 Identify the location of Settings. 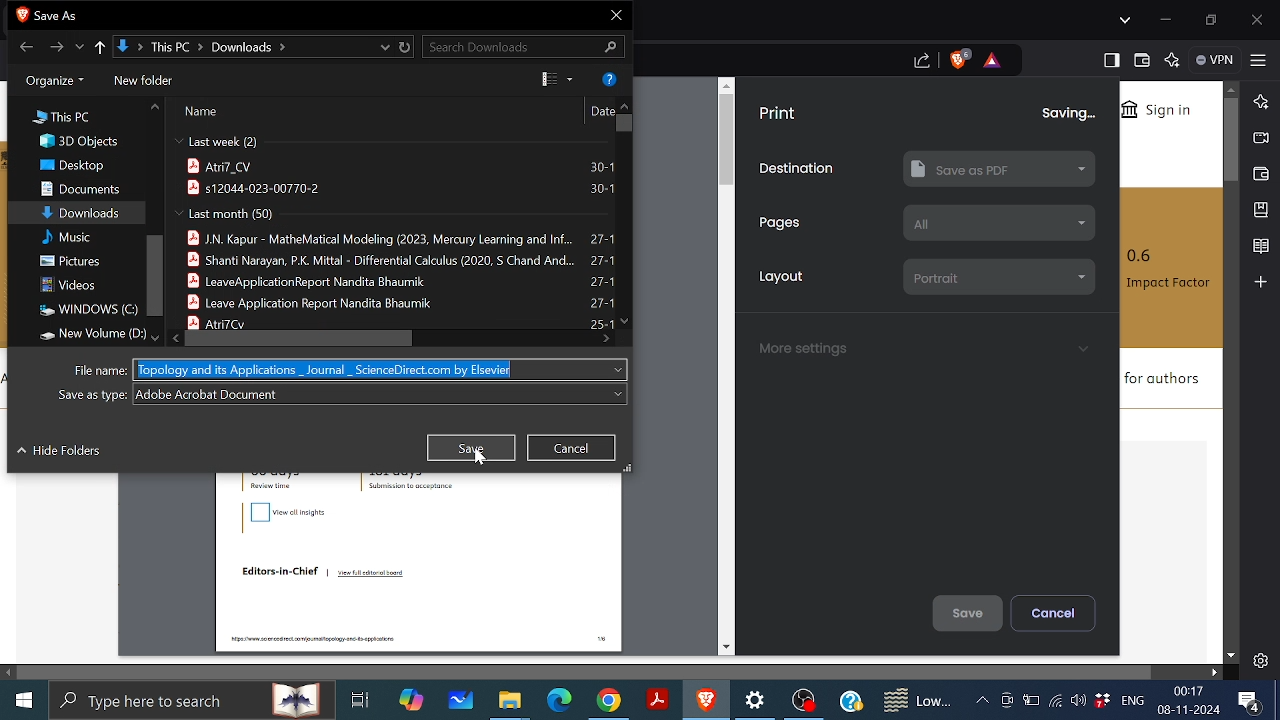
(1260, 661).